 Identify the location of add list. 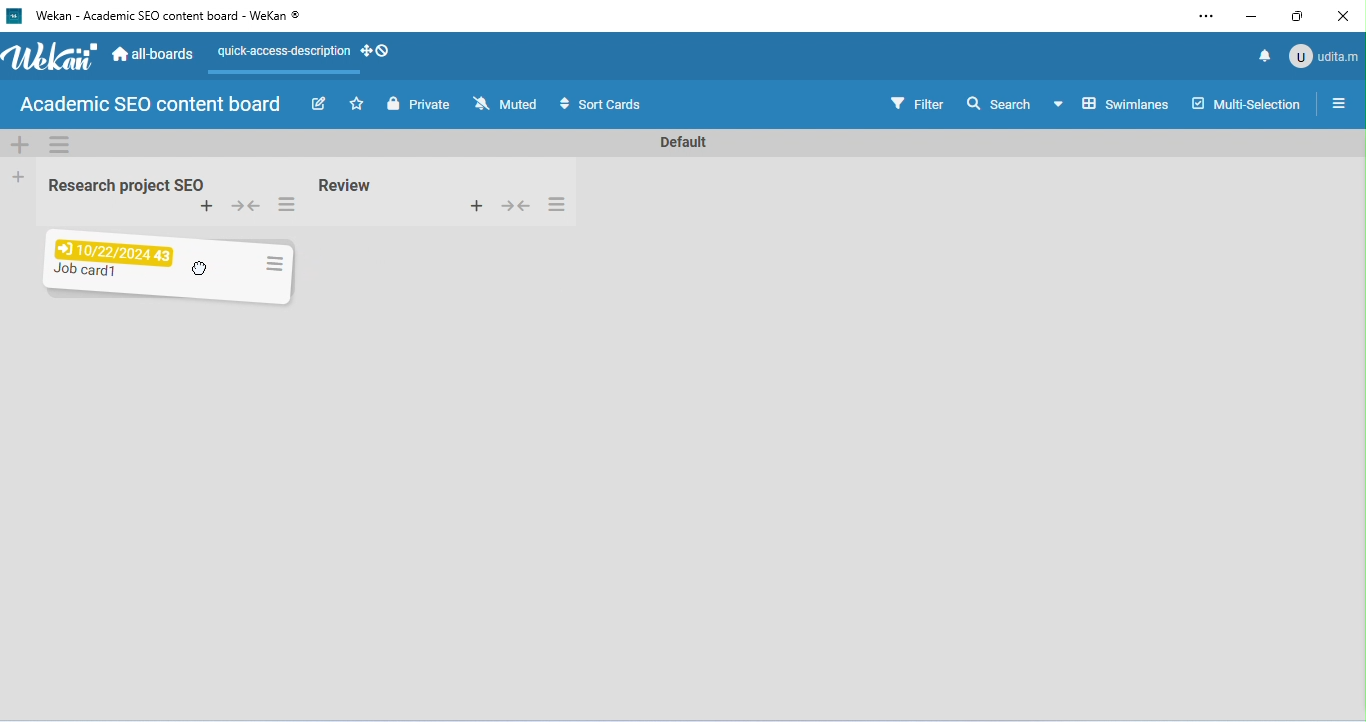
(20, 176).